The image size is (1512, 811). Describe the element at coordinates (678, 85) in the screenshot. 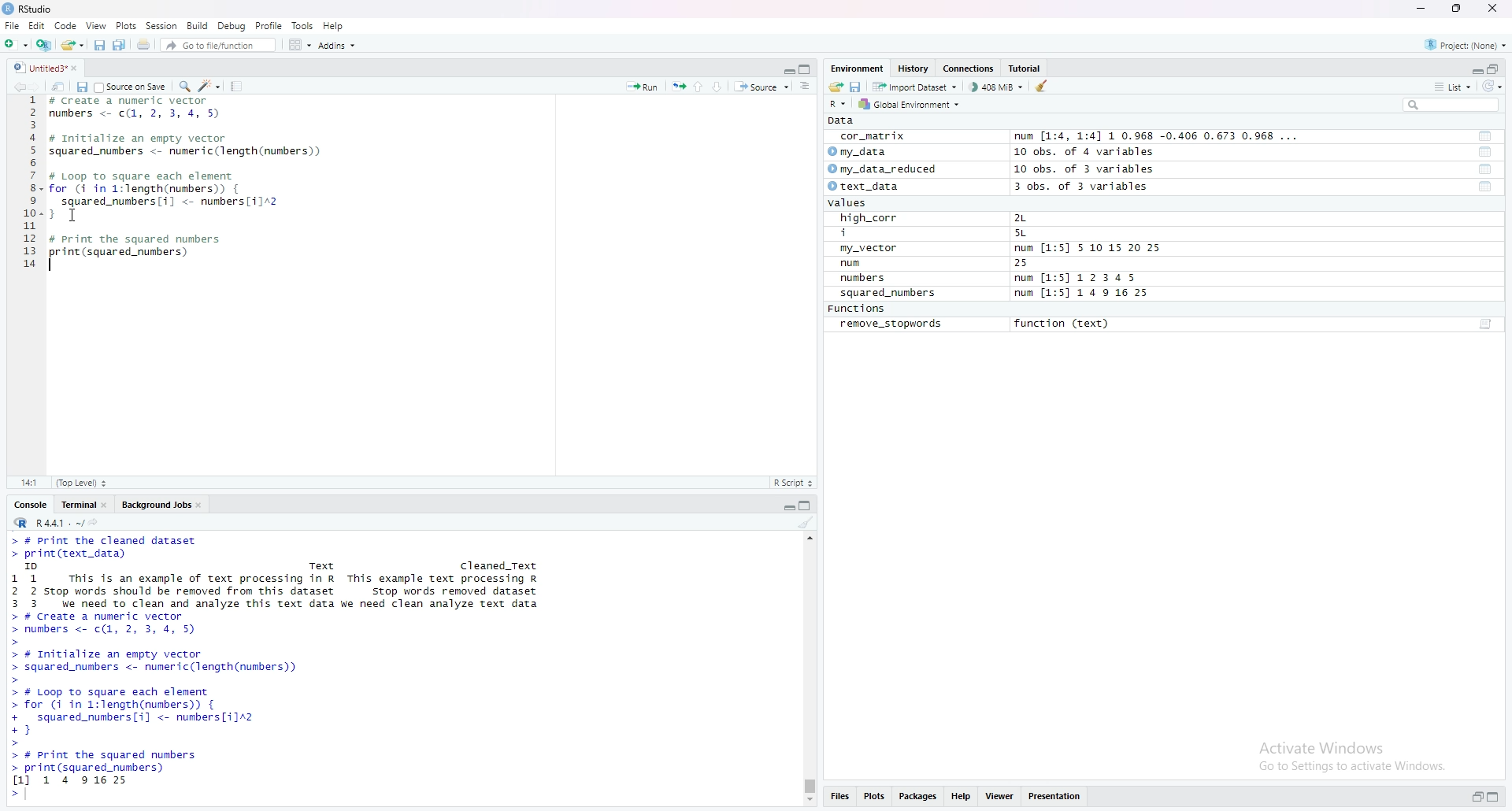

I see `re-run previous code region` at that location.